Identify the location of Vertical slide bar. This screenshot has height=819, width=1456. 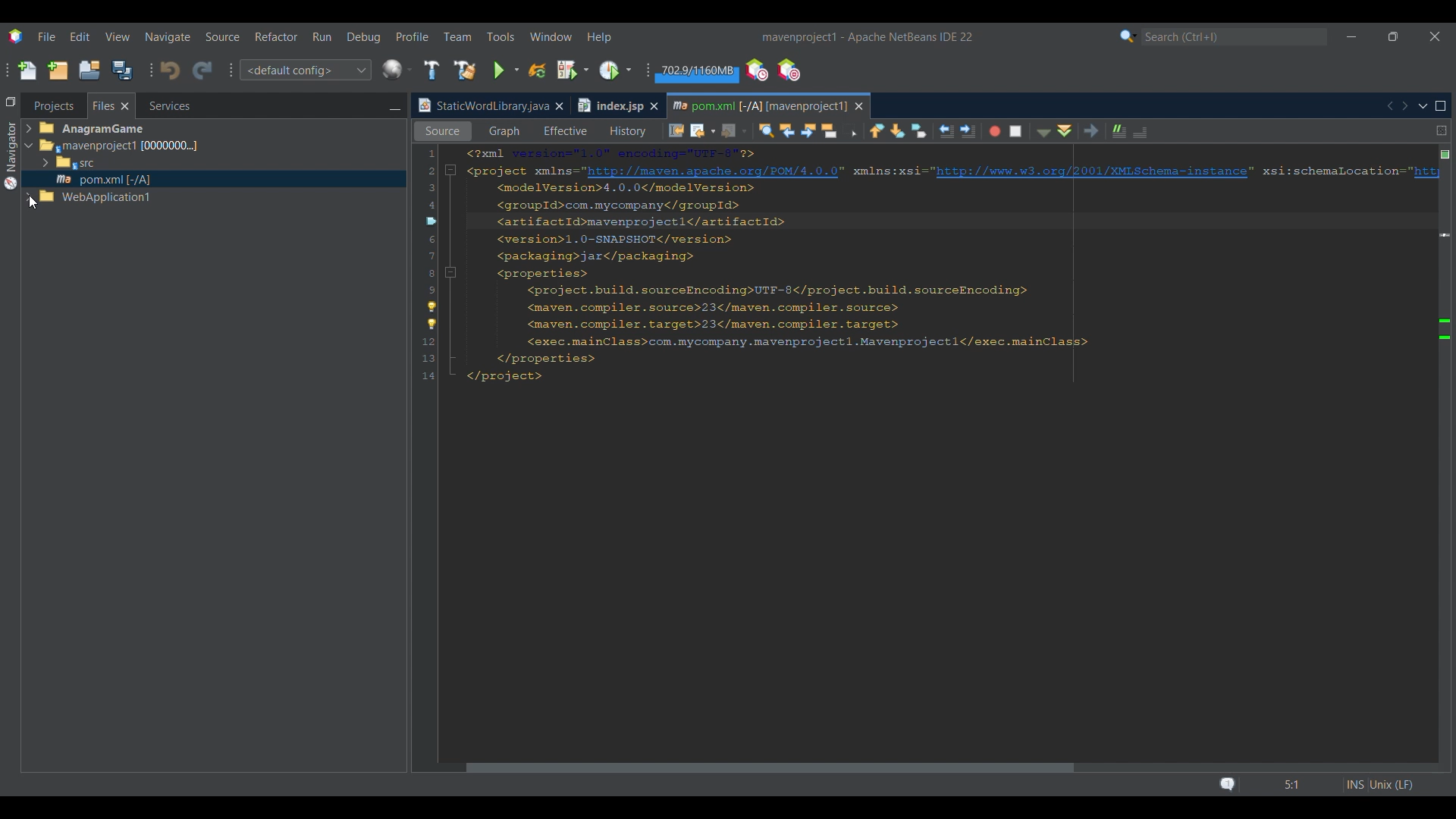
(1436, 461).